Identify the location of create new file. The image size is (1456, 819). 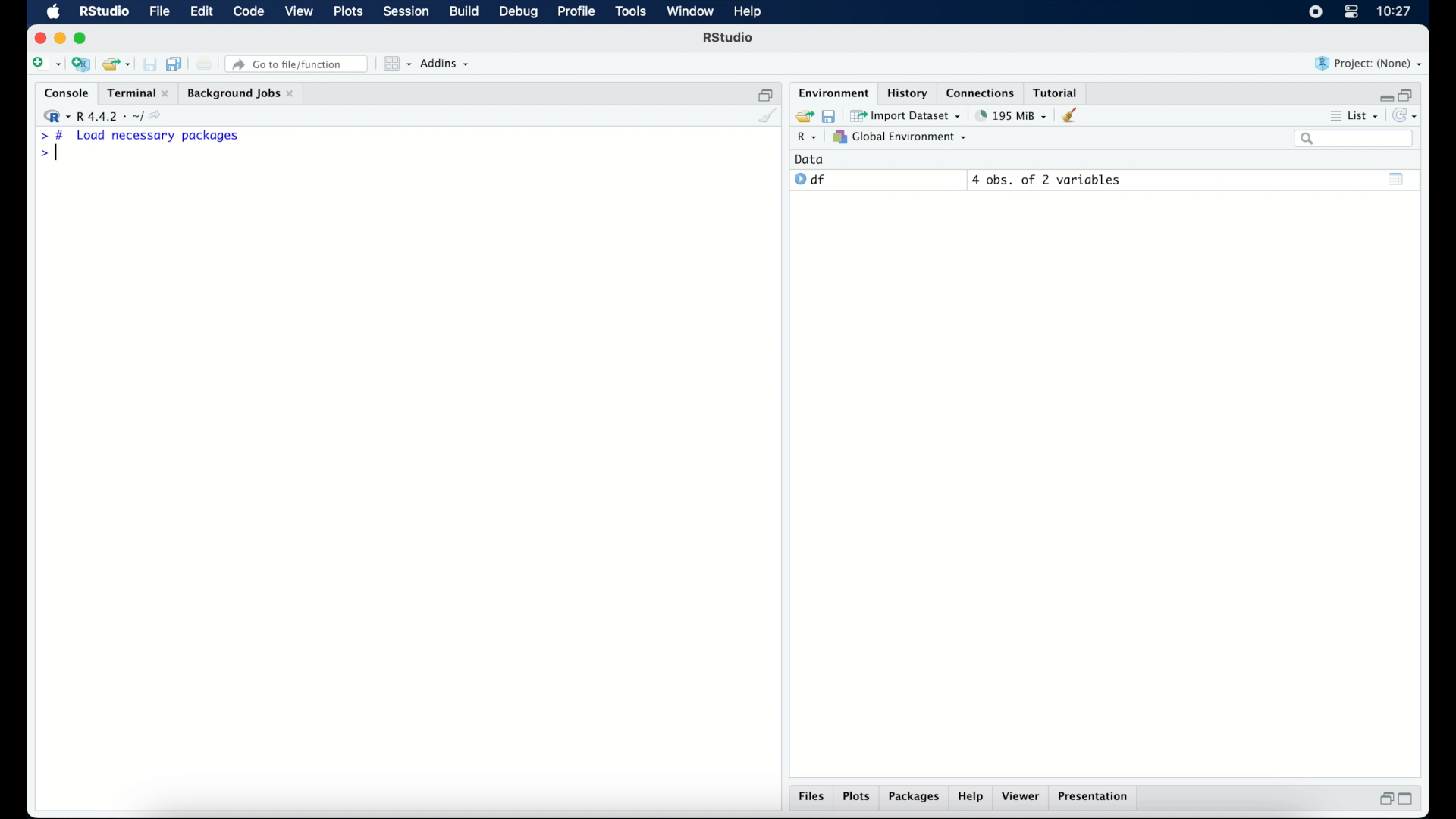
(45, 65).